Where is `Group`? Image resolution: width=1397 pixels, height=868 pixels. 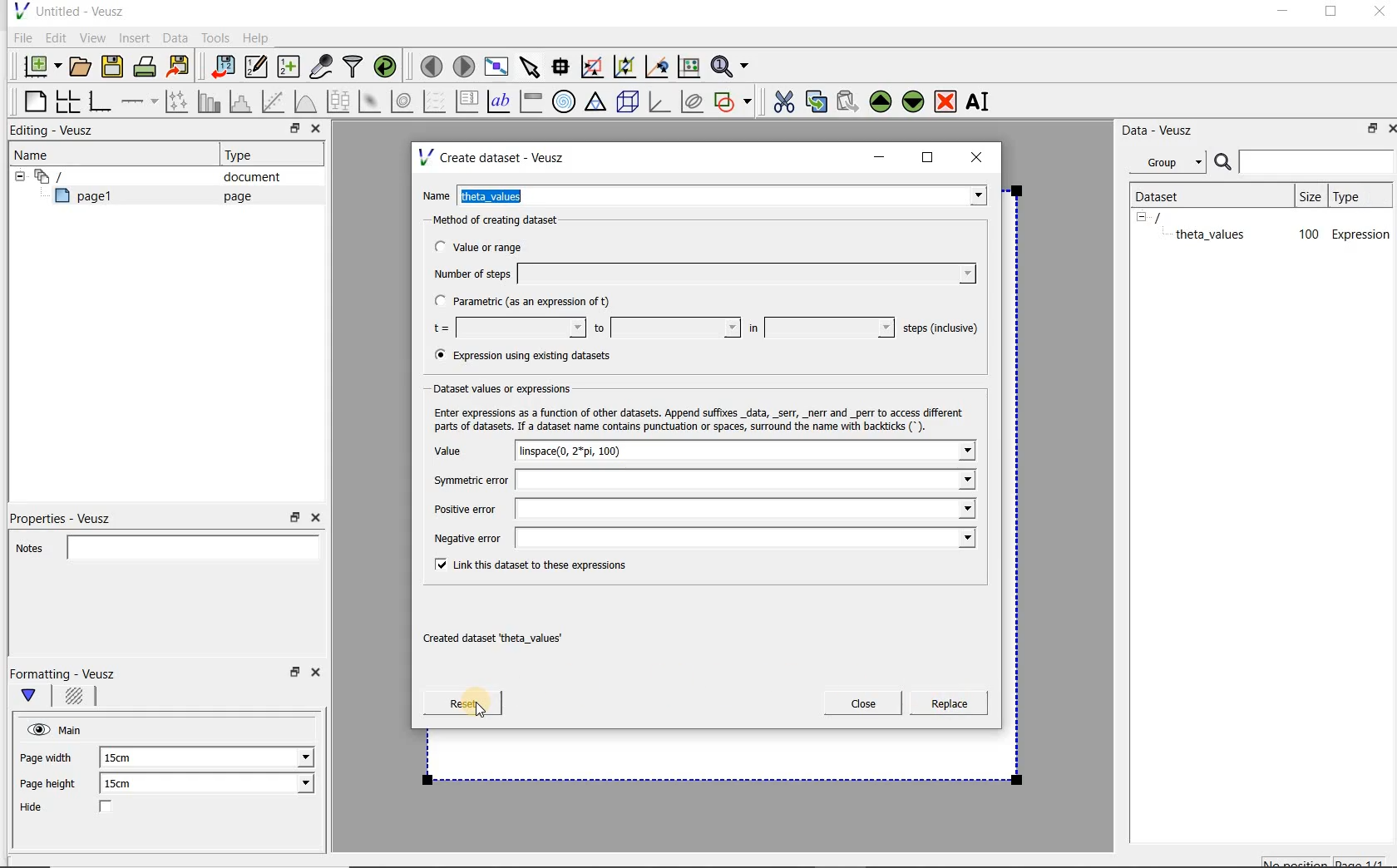 Group is located at coordinates (1172, 165).